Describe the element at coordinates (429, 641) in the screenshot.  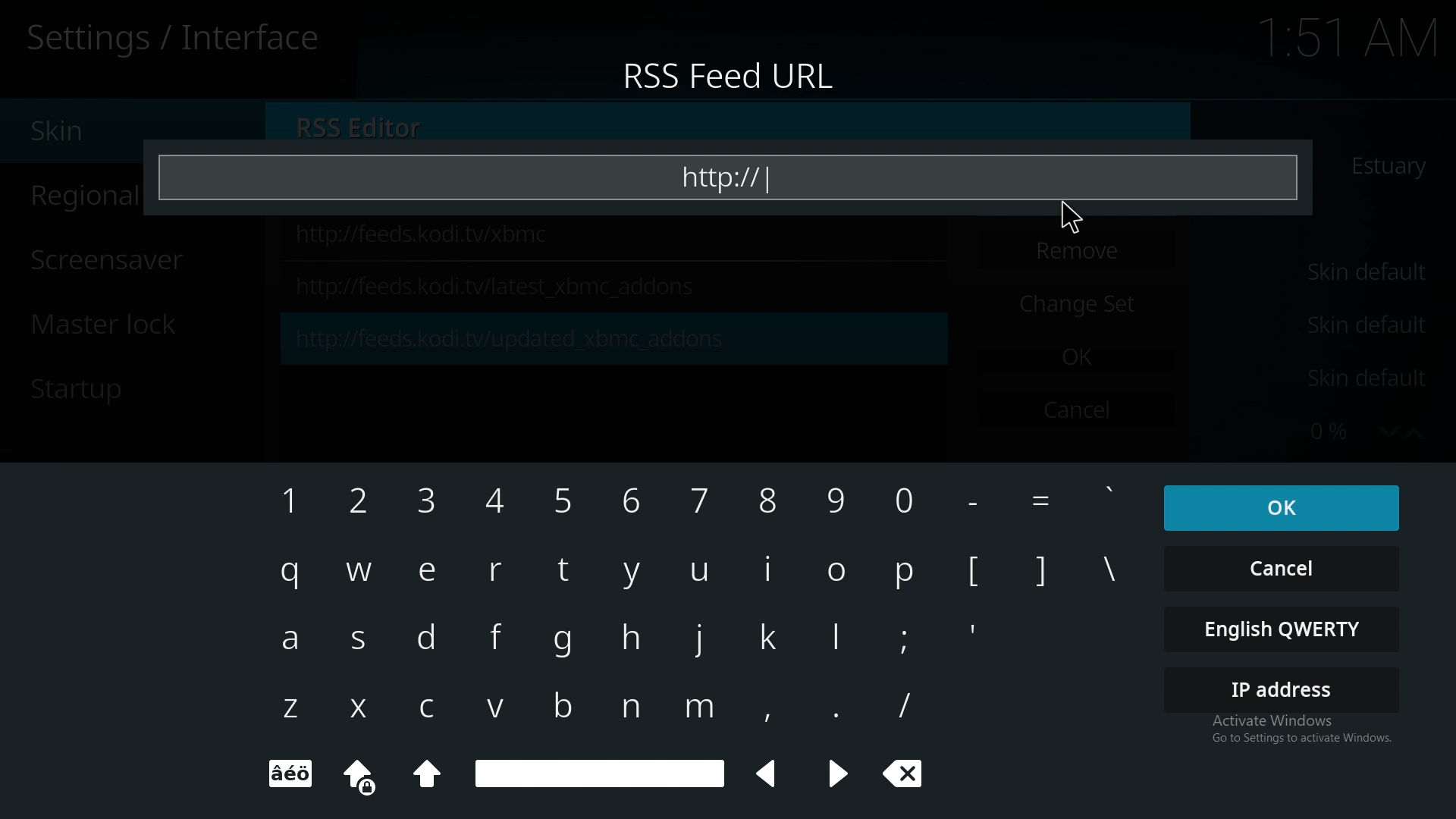
I see `d` at that location.